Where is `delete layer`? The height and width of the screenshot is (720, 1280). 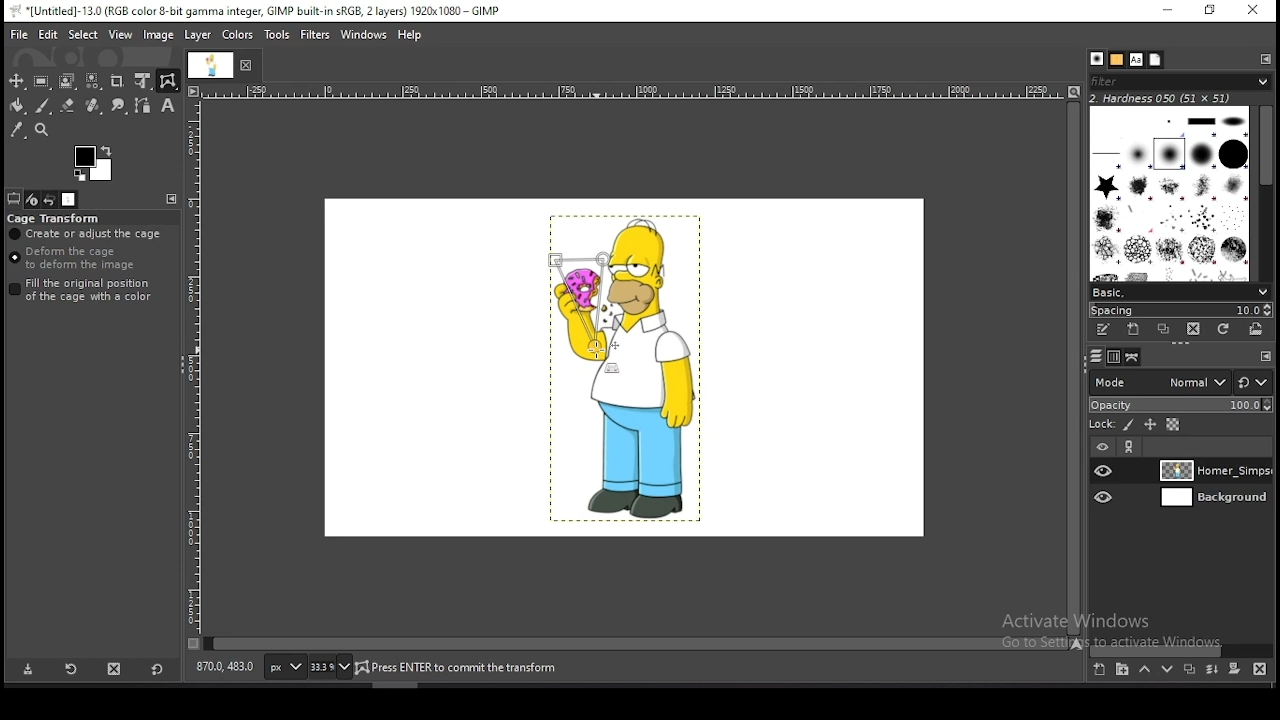
delete layer is located at coordinates (1257, 669).